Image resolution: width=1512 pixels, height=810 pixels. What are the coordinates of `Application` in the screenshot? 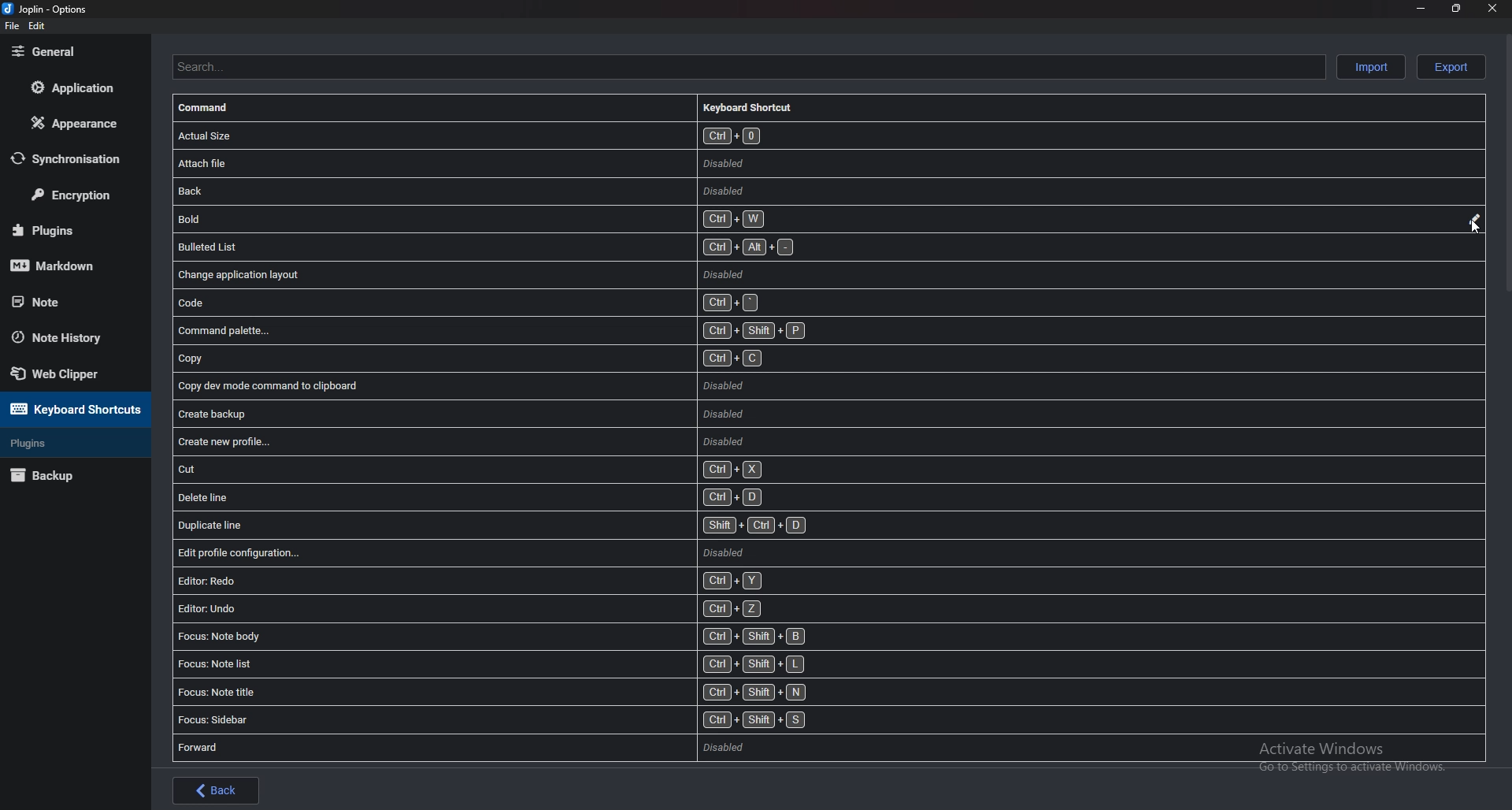 It's located at (72, 88).